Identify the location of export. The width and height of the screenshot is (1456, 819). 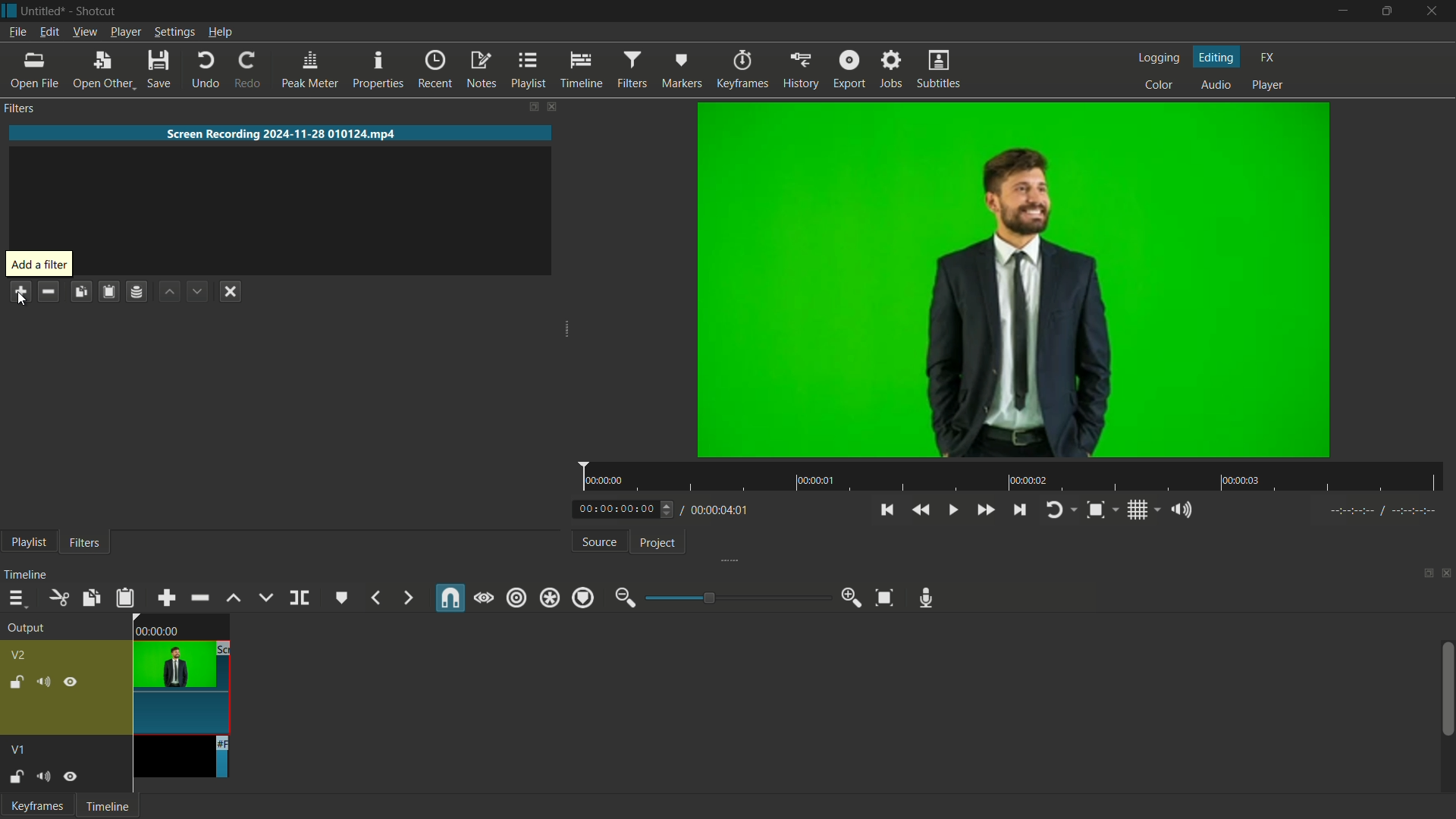
(846, 71).